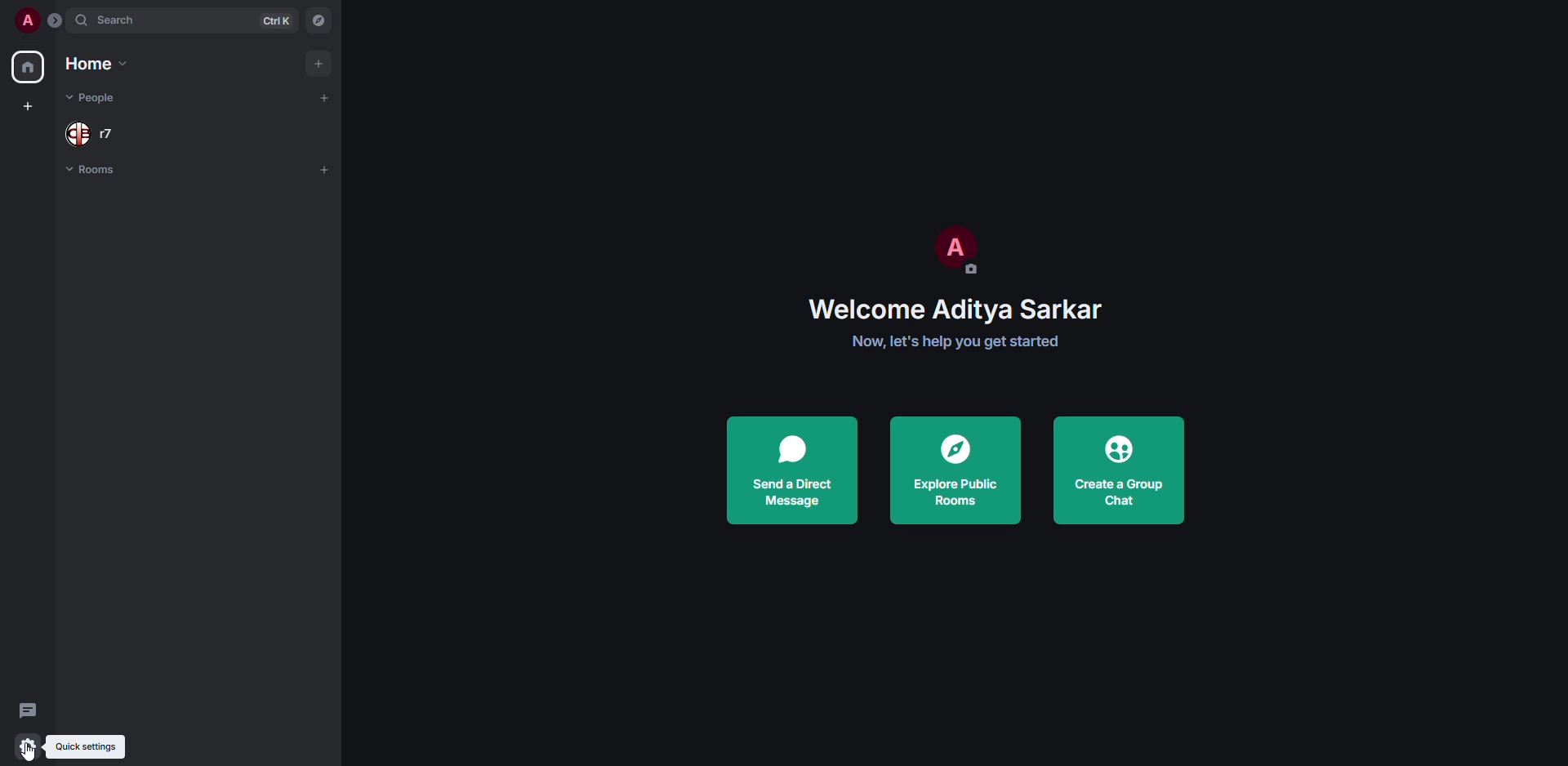  Describe the element at coordinates (953, 248) in the screenshot. I see `profile pic` at that location.